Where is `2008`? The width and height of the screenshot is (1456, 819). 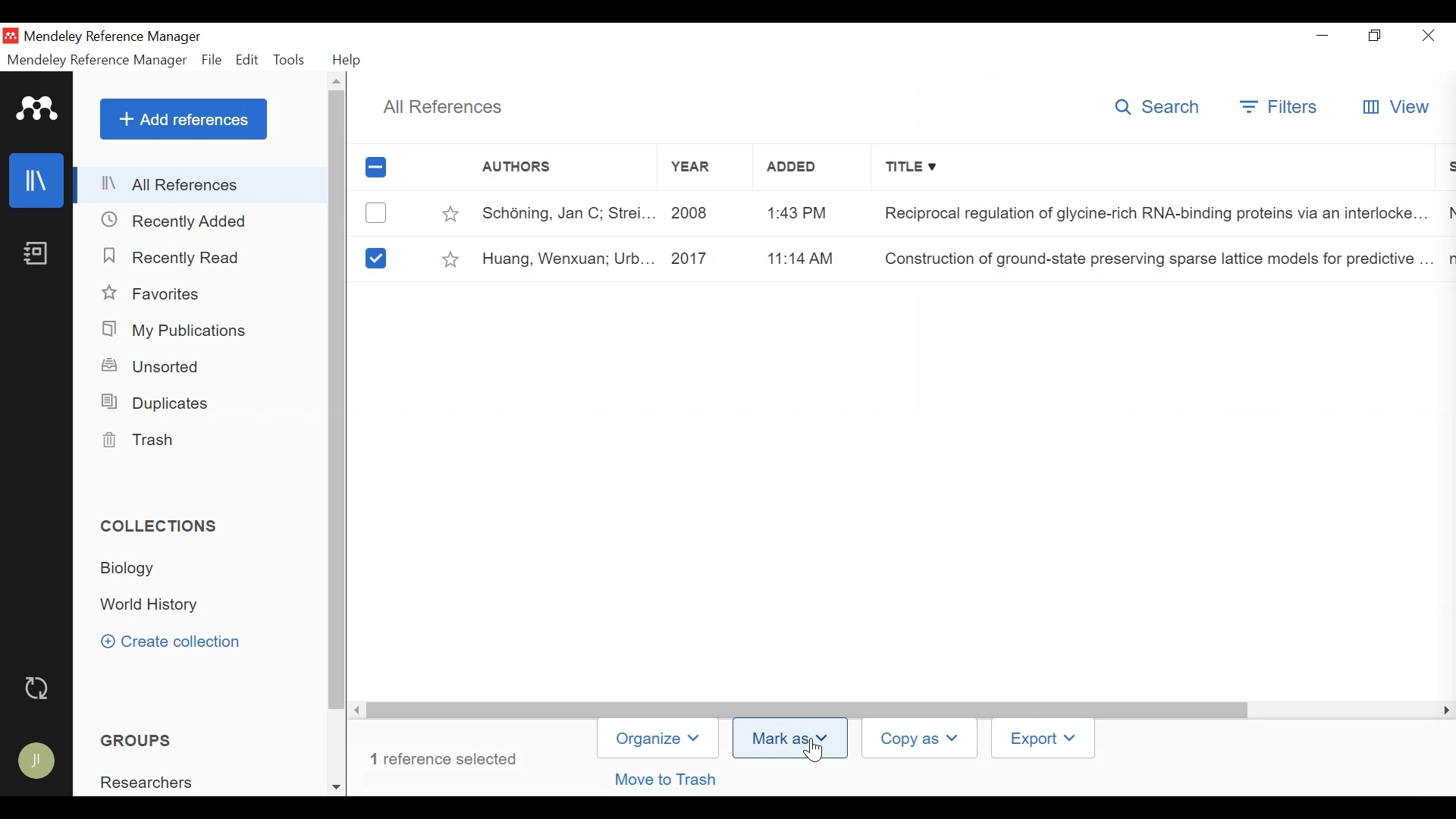
2008 is located at coordinates (695, 215).